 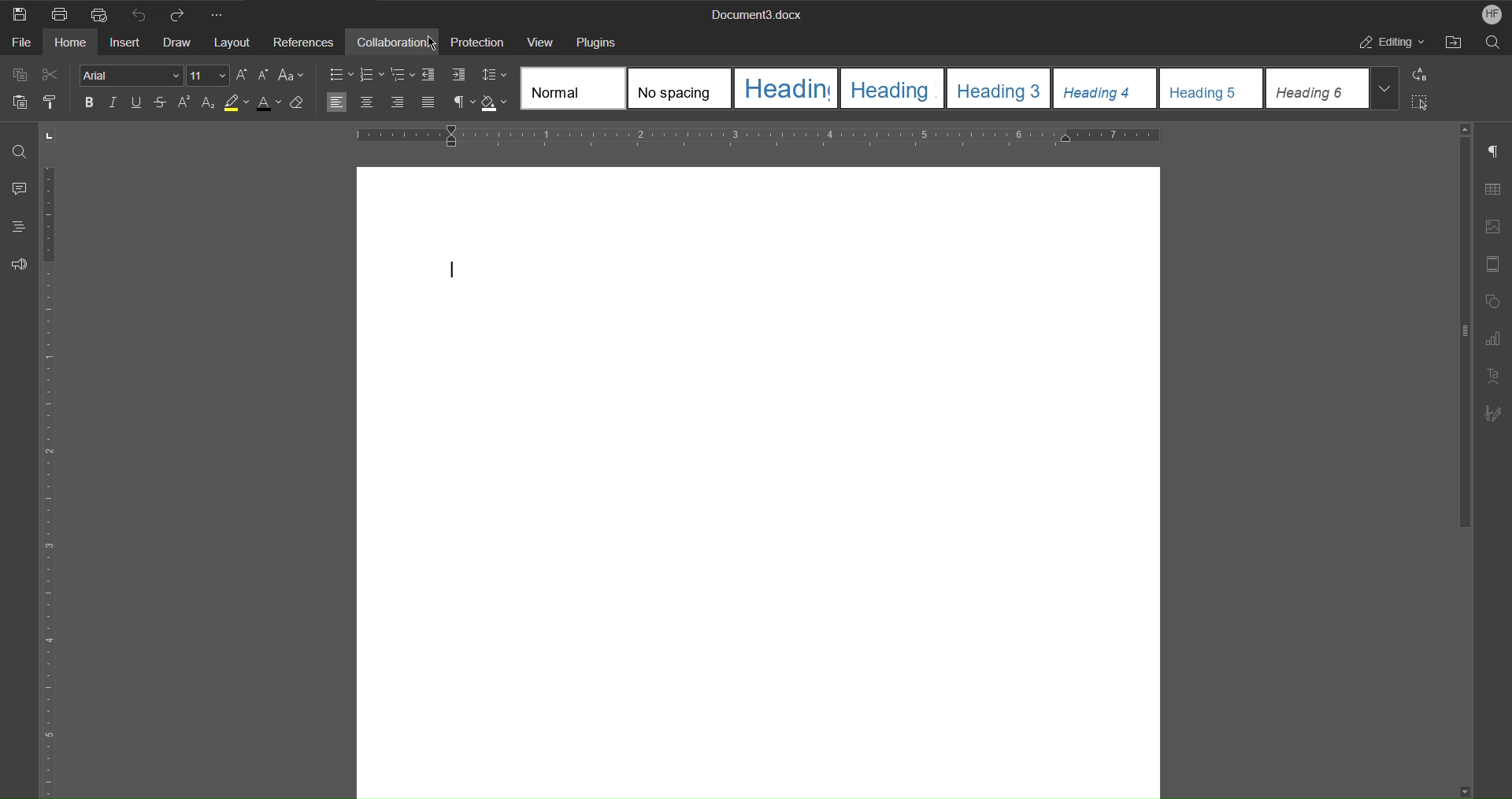 I want to click on View, so click(x=543, y=40).